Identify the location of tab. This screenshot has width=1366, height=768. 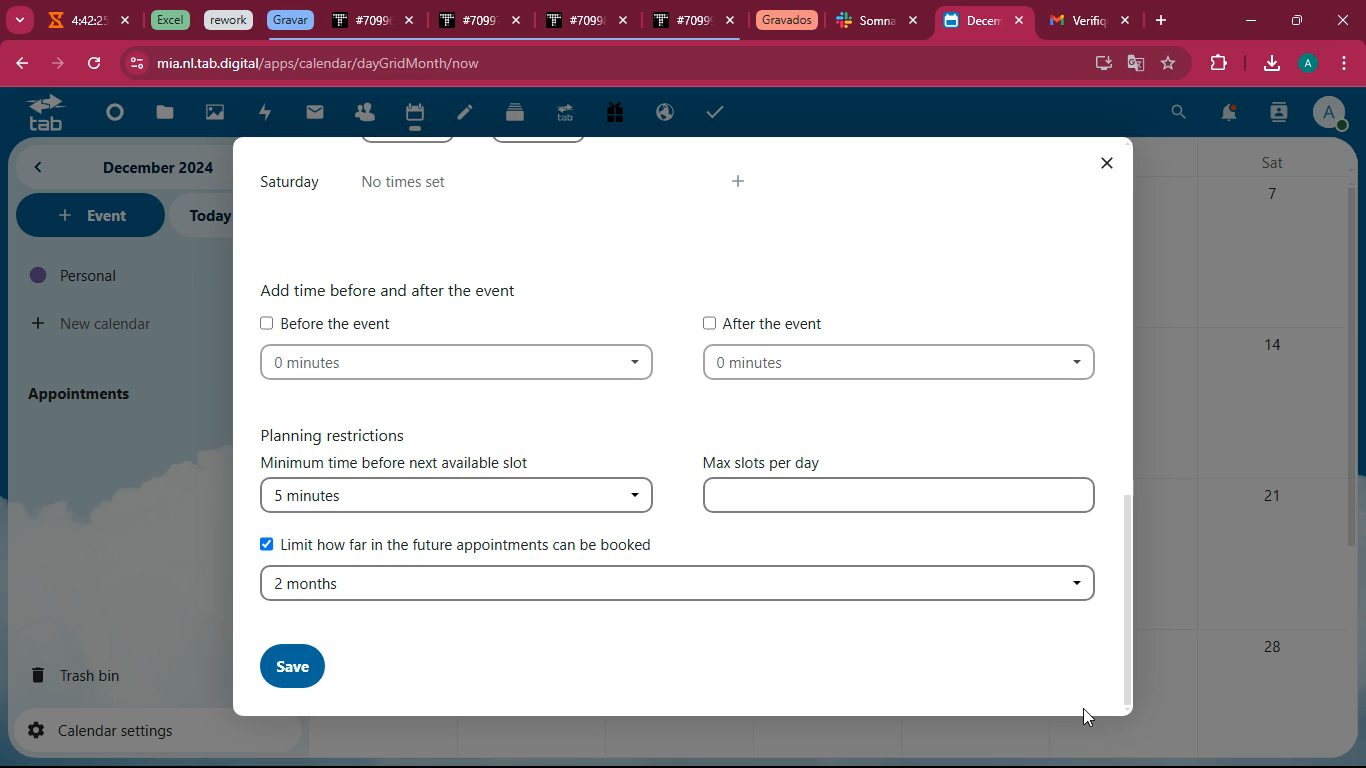
(229, 21).